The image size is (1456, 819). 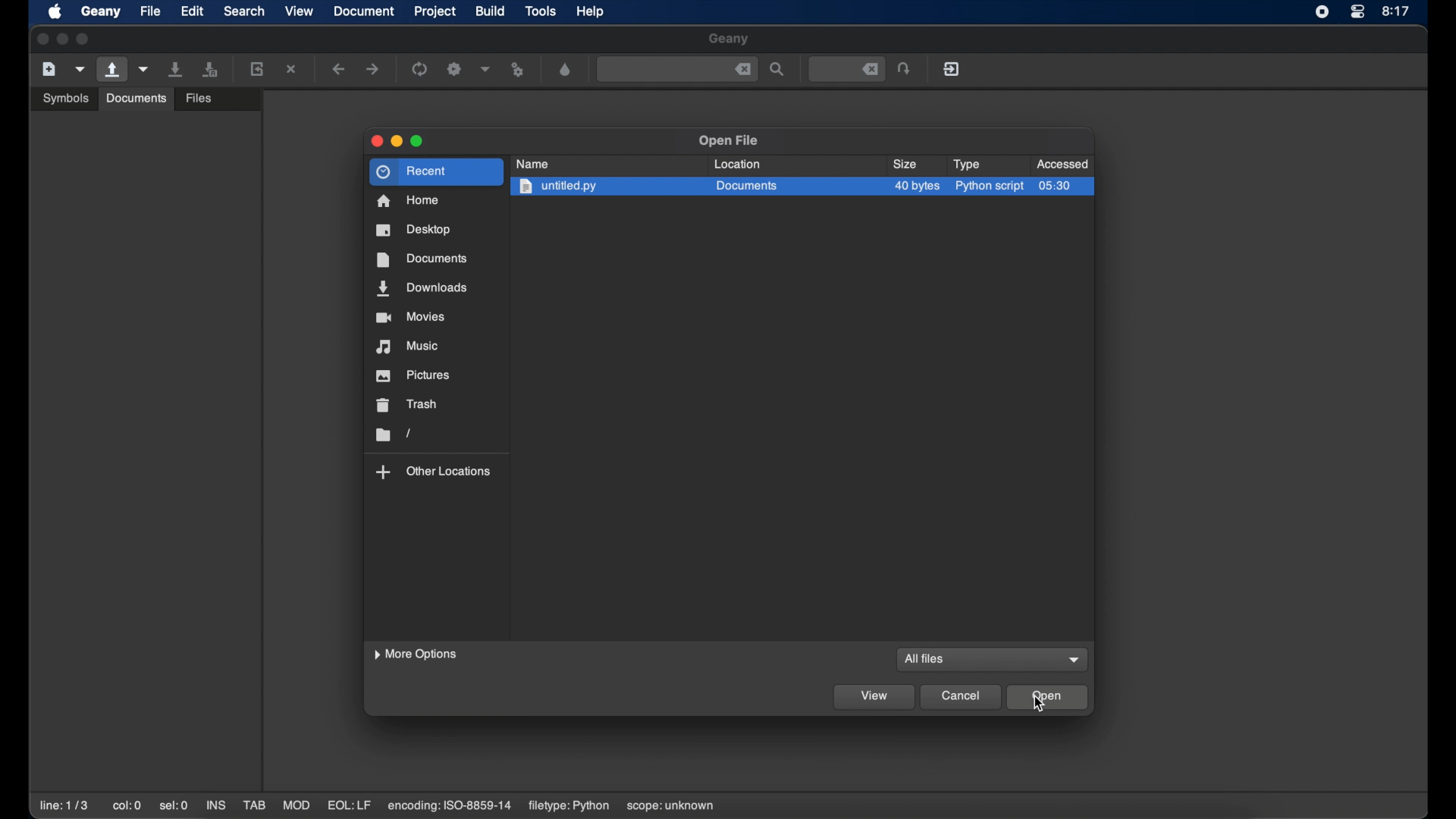 I want to click on all files, so click(x=927, y=658).